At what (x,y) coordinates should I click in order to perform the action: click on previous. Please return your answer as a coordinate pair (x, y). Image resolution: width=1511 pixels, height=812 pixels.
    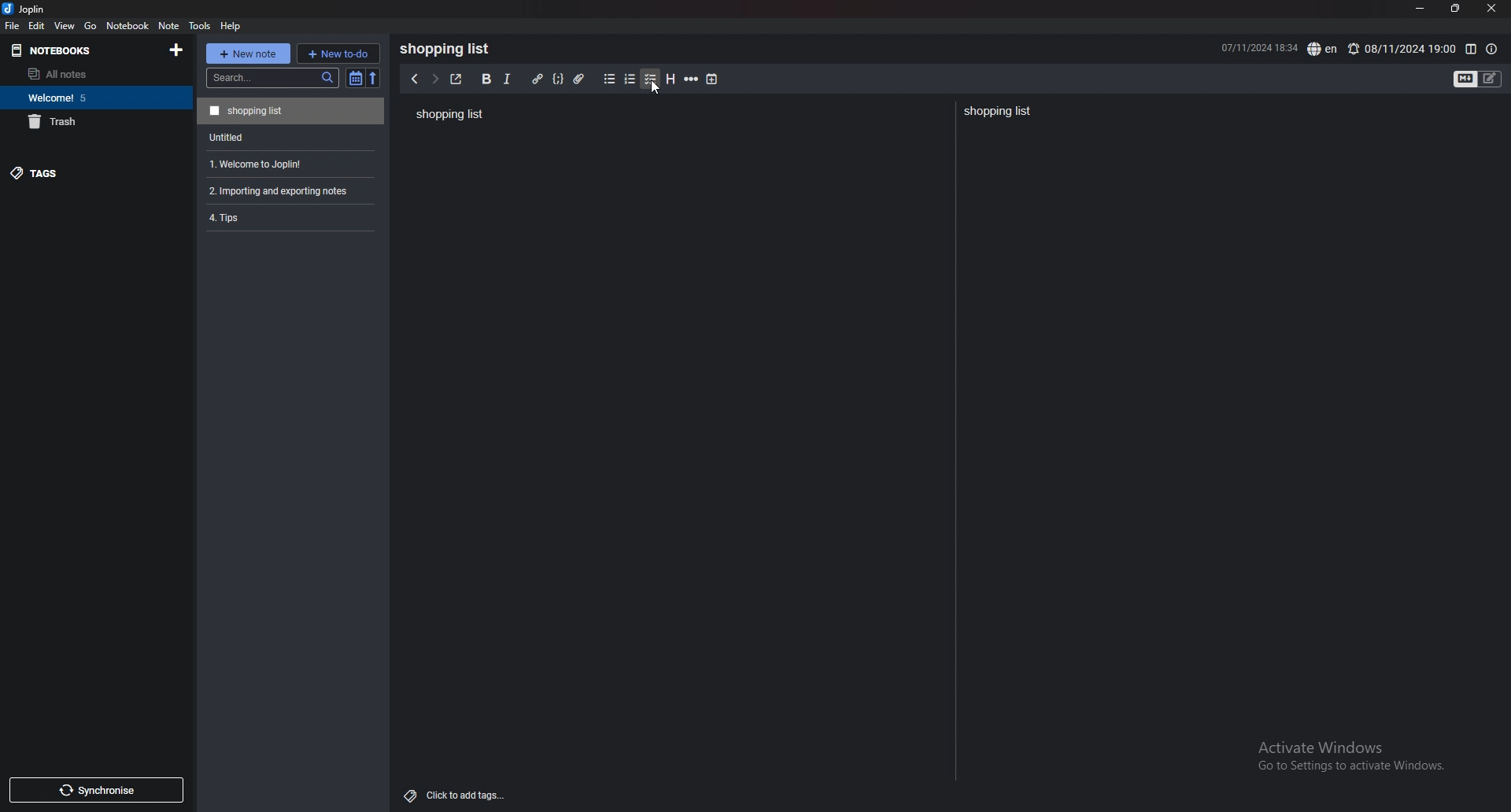
    Looking at the image, I should click on (413, 79).